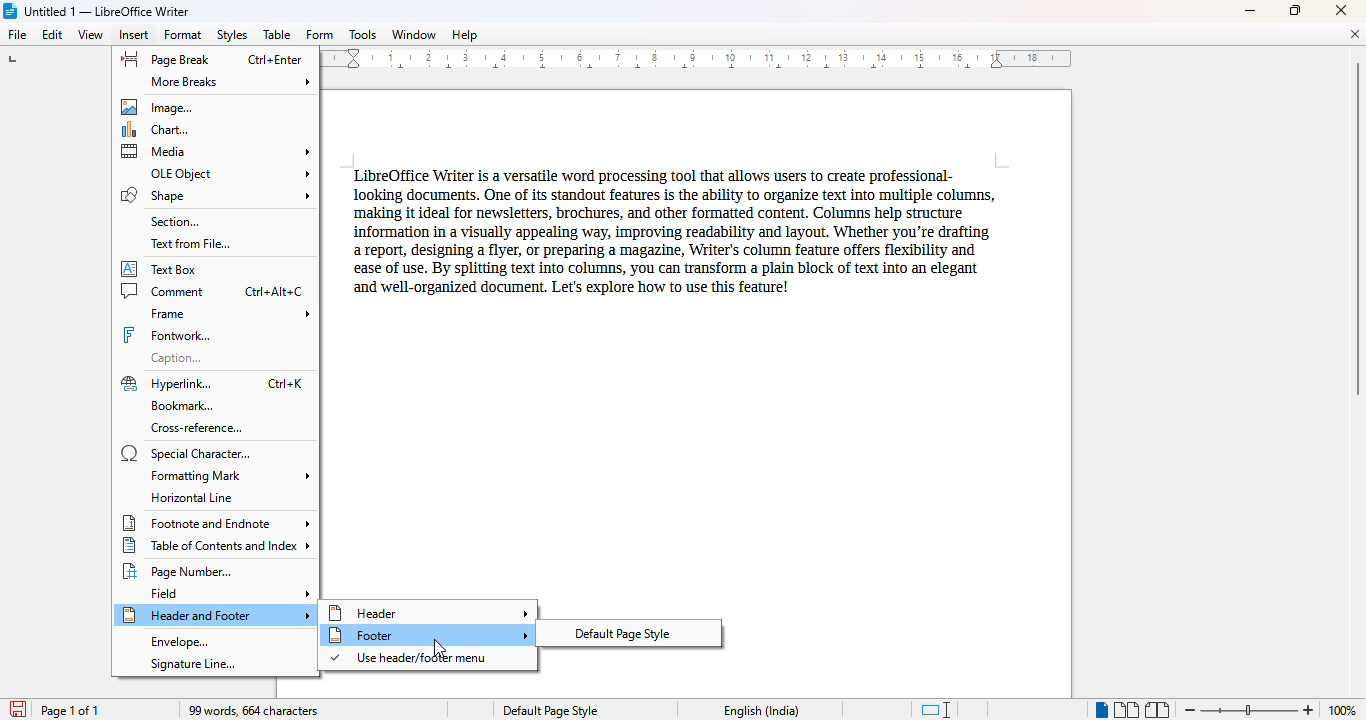  I want to click on cursor, so click(437, 647).